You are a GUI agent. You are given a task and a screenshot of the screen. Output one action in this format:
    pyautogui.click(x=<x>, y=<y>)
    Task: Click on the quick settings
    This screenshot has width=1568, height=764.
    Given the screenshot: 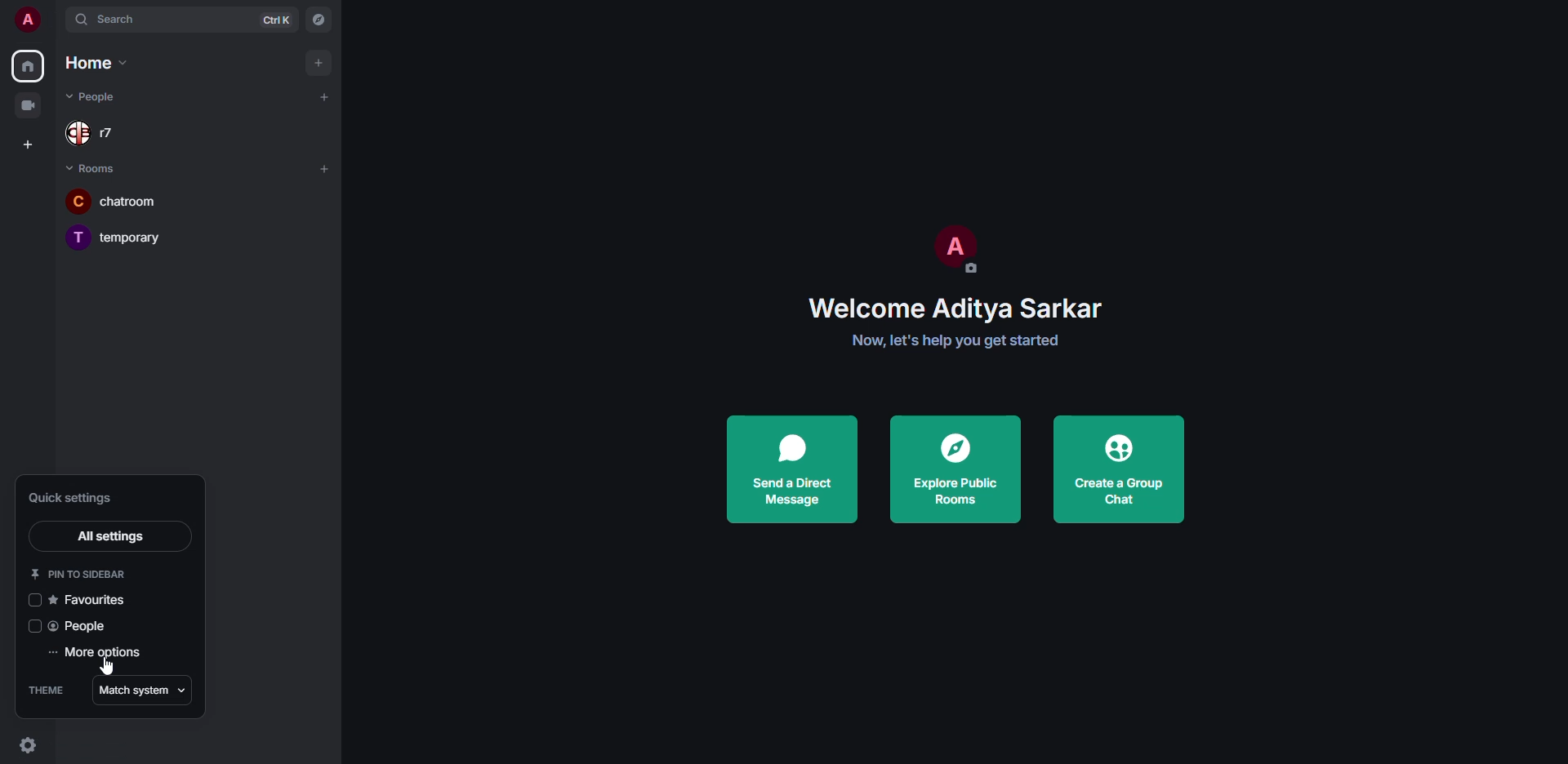 What is the action you would take?
    pyautogui.click(x=75, y=498)
    